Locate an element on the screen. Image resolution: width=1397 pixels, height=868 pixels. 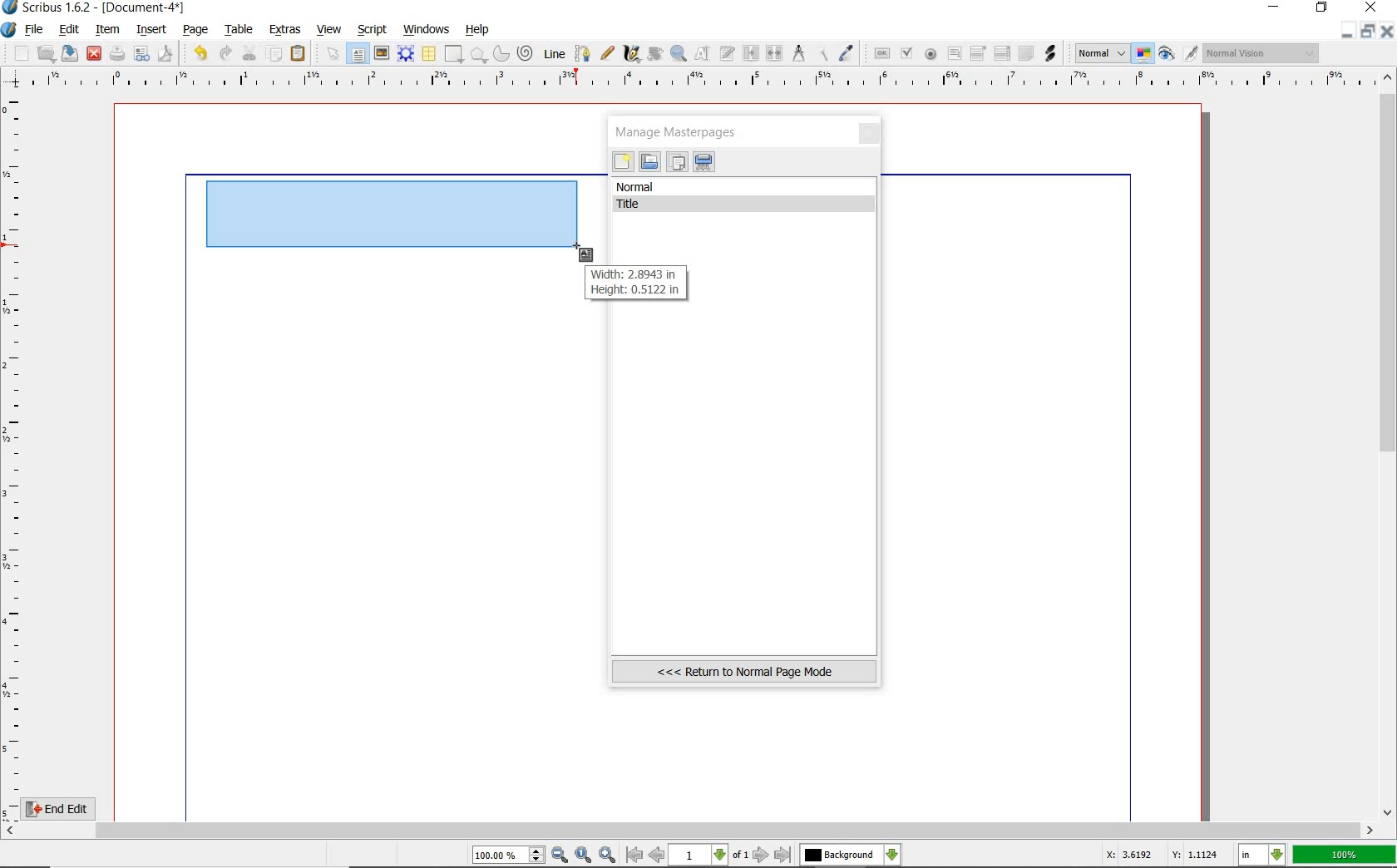
view is located at coordinates (332, 30).